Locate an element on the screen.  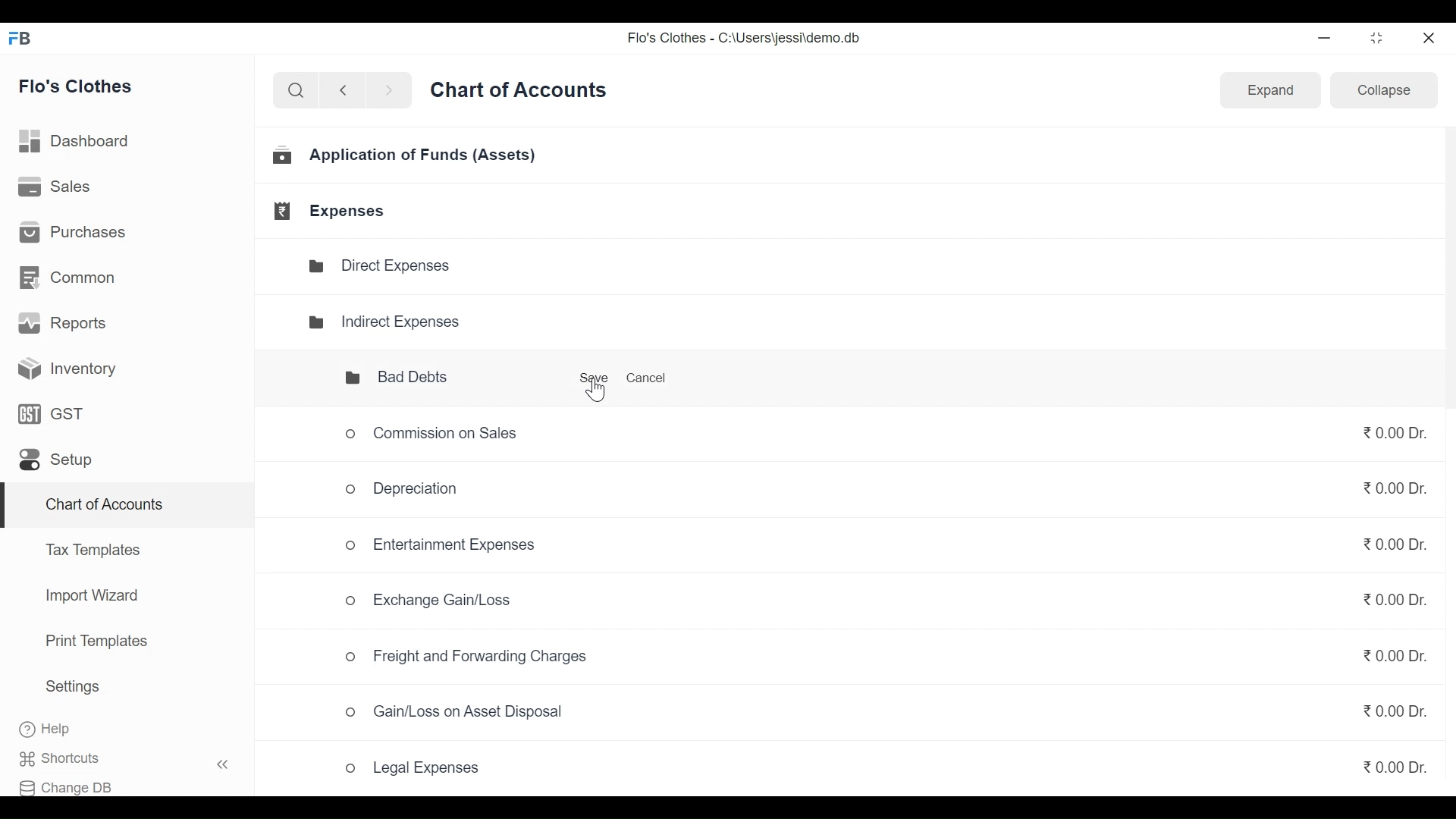
Chart of Accounts is located at coordinates (522, 95).